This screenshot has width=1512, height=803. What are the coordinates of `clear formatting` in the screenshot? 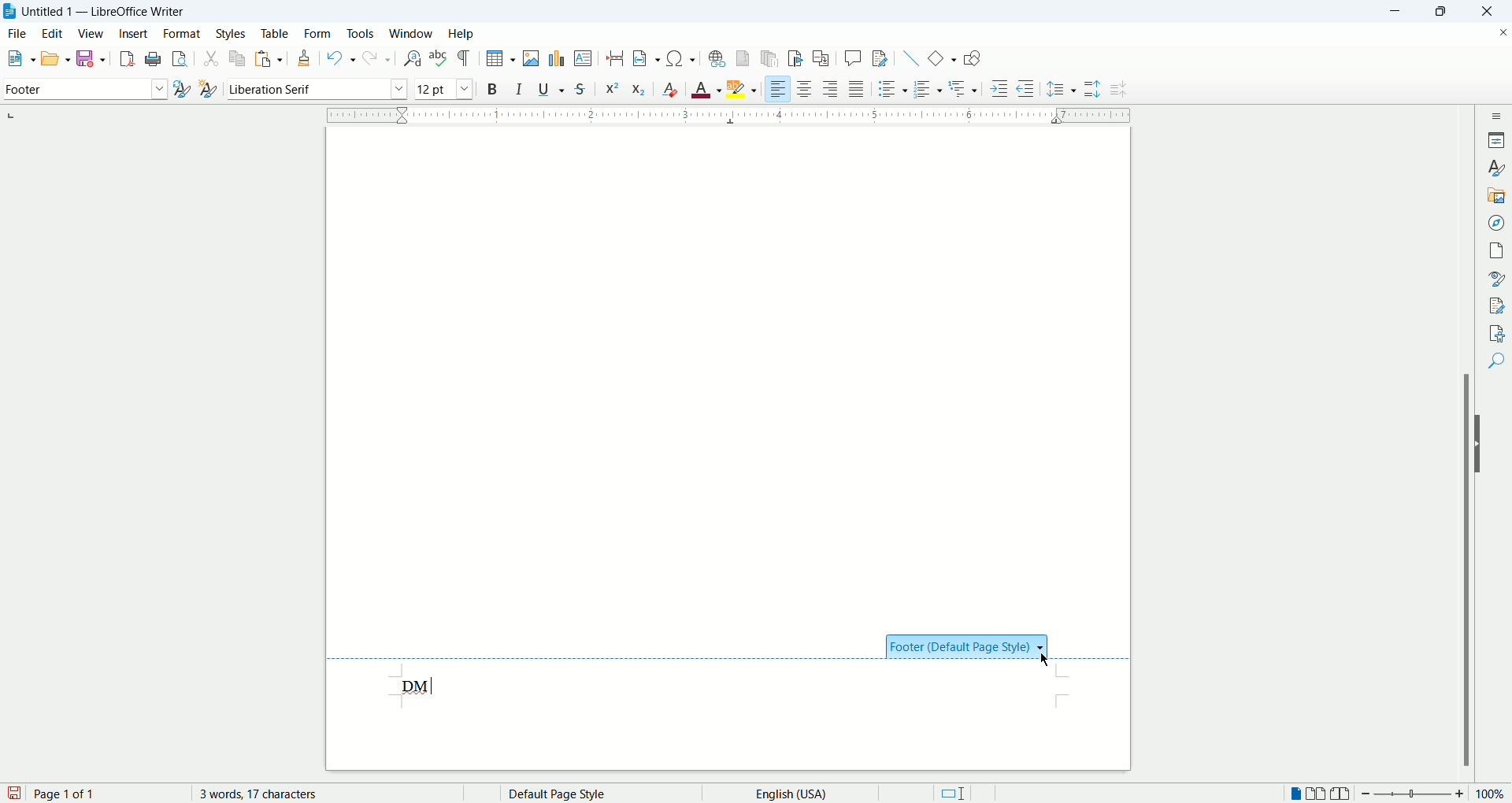 It's located at (671, 89).